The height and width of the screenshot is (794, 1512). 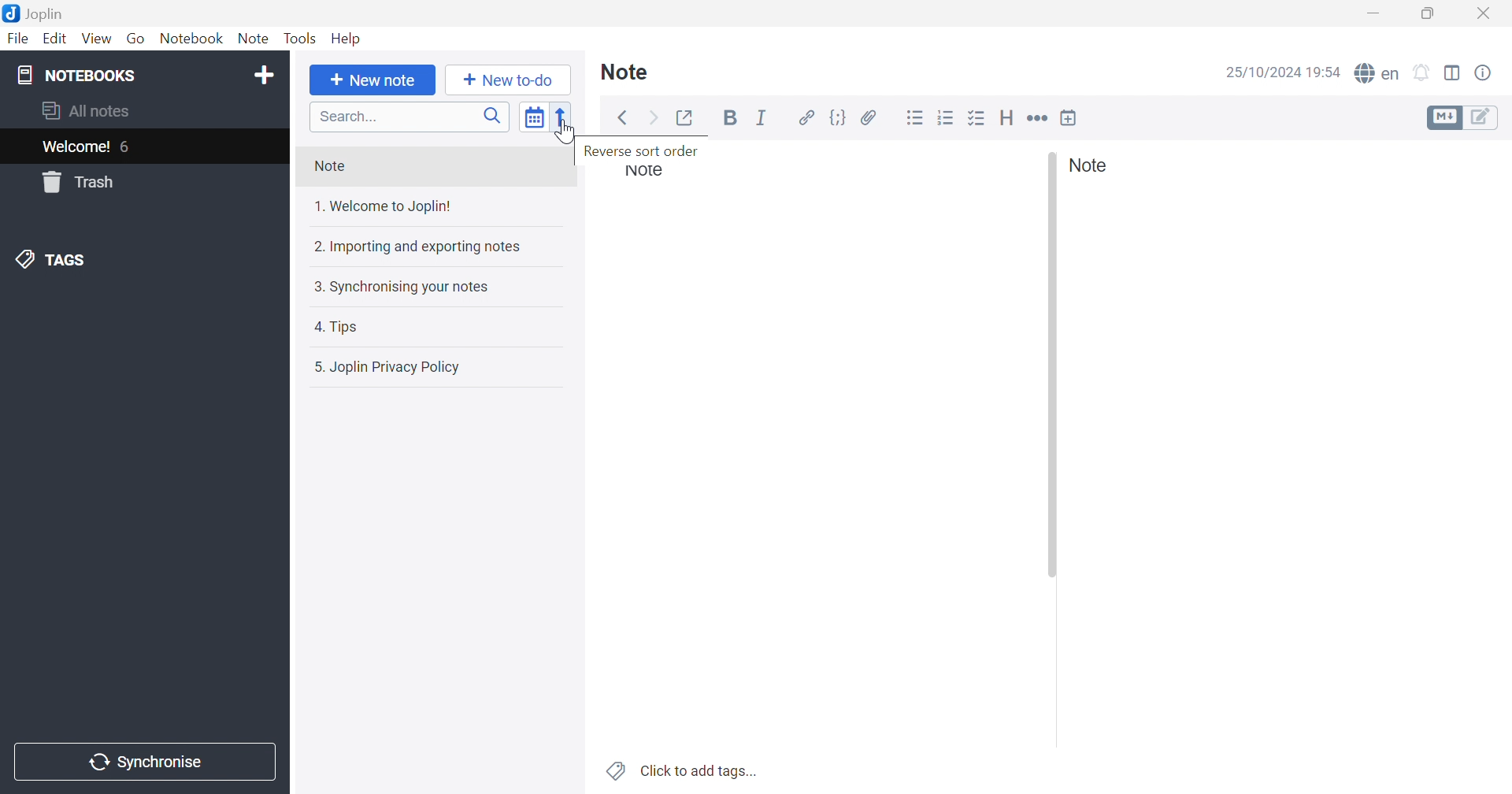 What do you see at coordinates (1037, 120) in the screenshot?
I see `Horizontal Rule` at bounding box center [1037, 120].